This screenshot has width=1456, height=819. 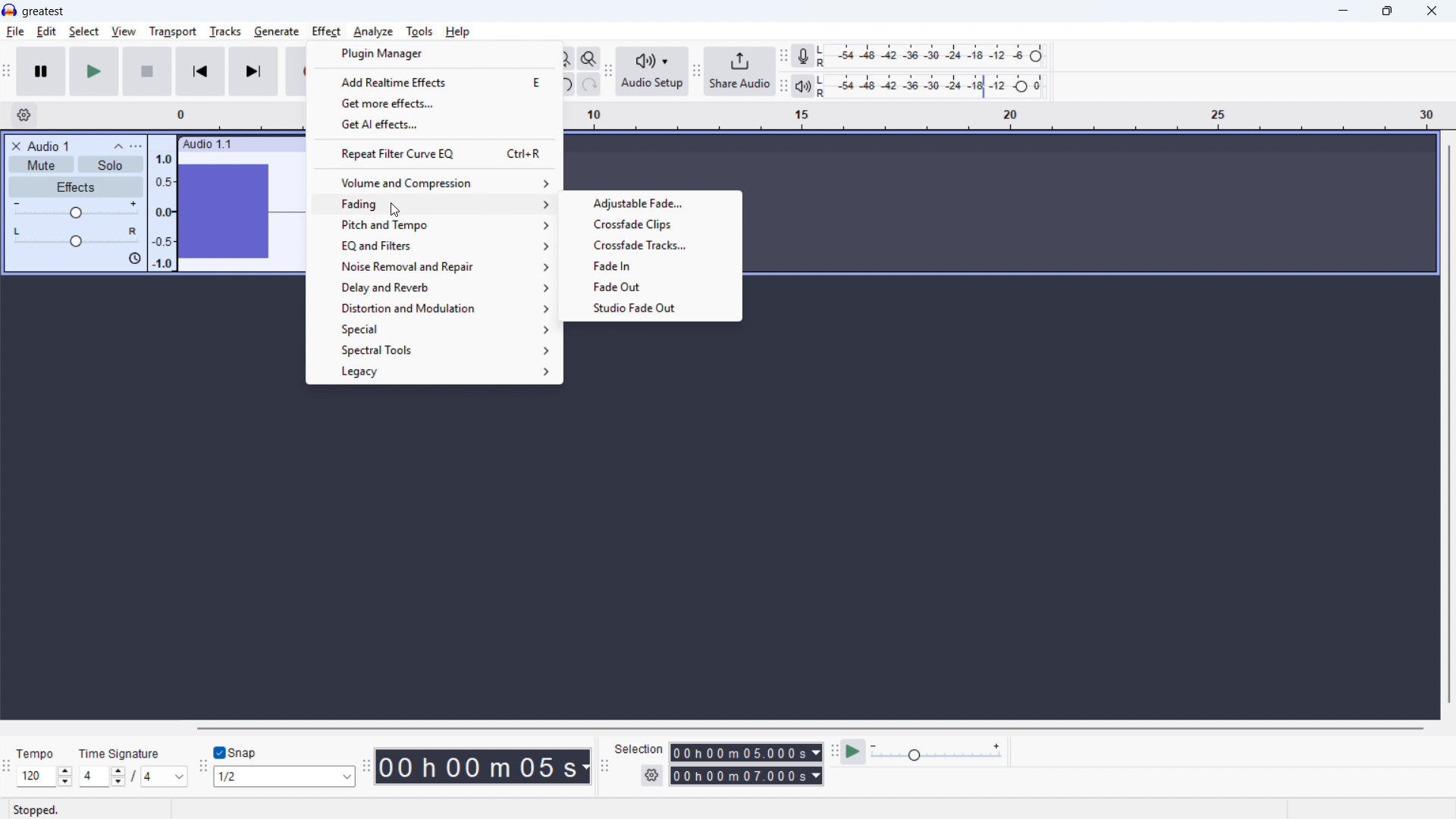 What do you see at coordinates (437, 224) in the screenshot?
I see `Pitch and tempo ` at bounding box center [437, 224].